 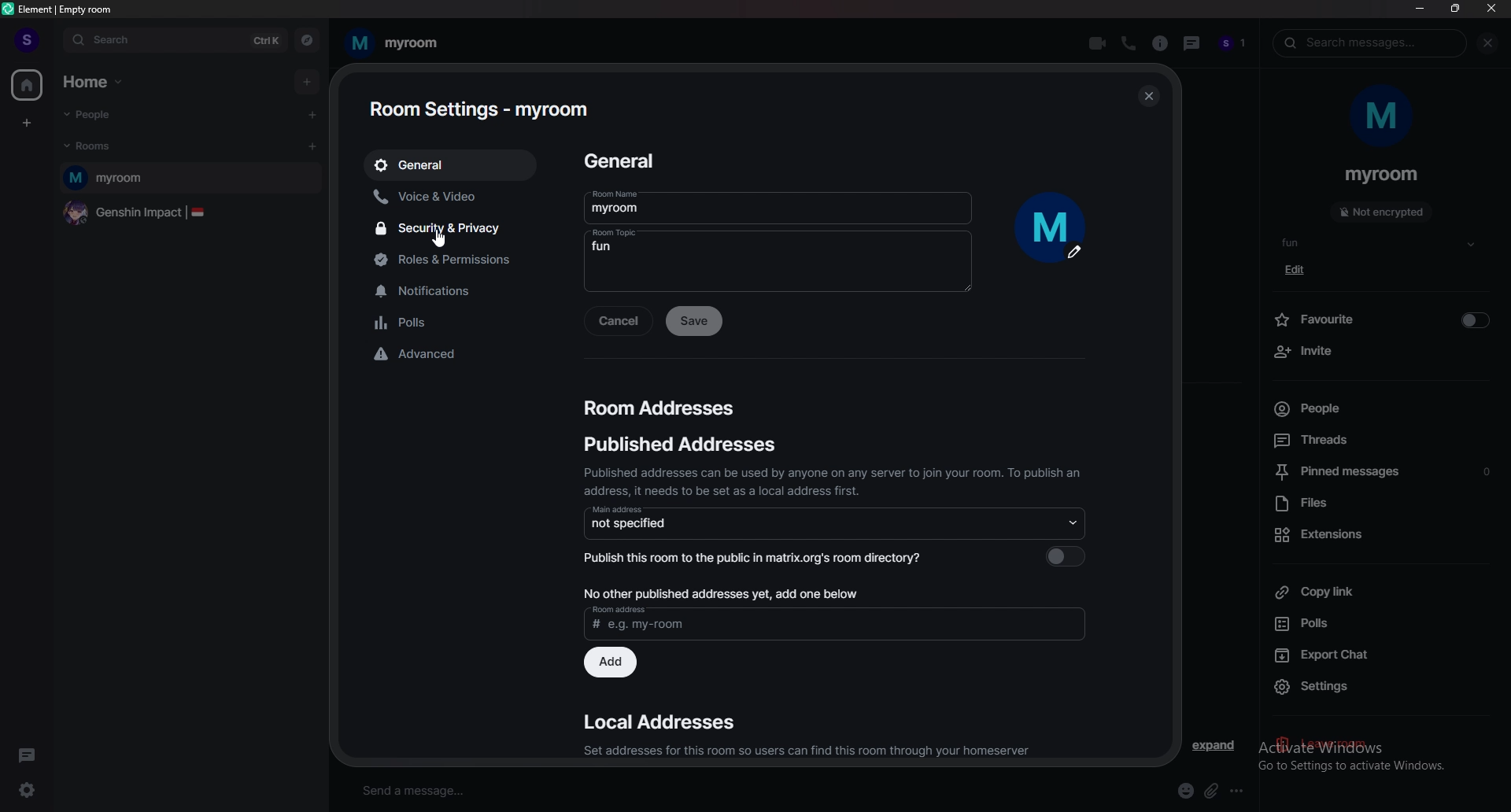 What do you see at coordinates (1384, 769) in the screenshot?
I see `go to settings to activate windows` at bounding box center [1384, 769].